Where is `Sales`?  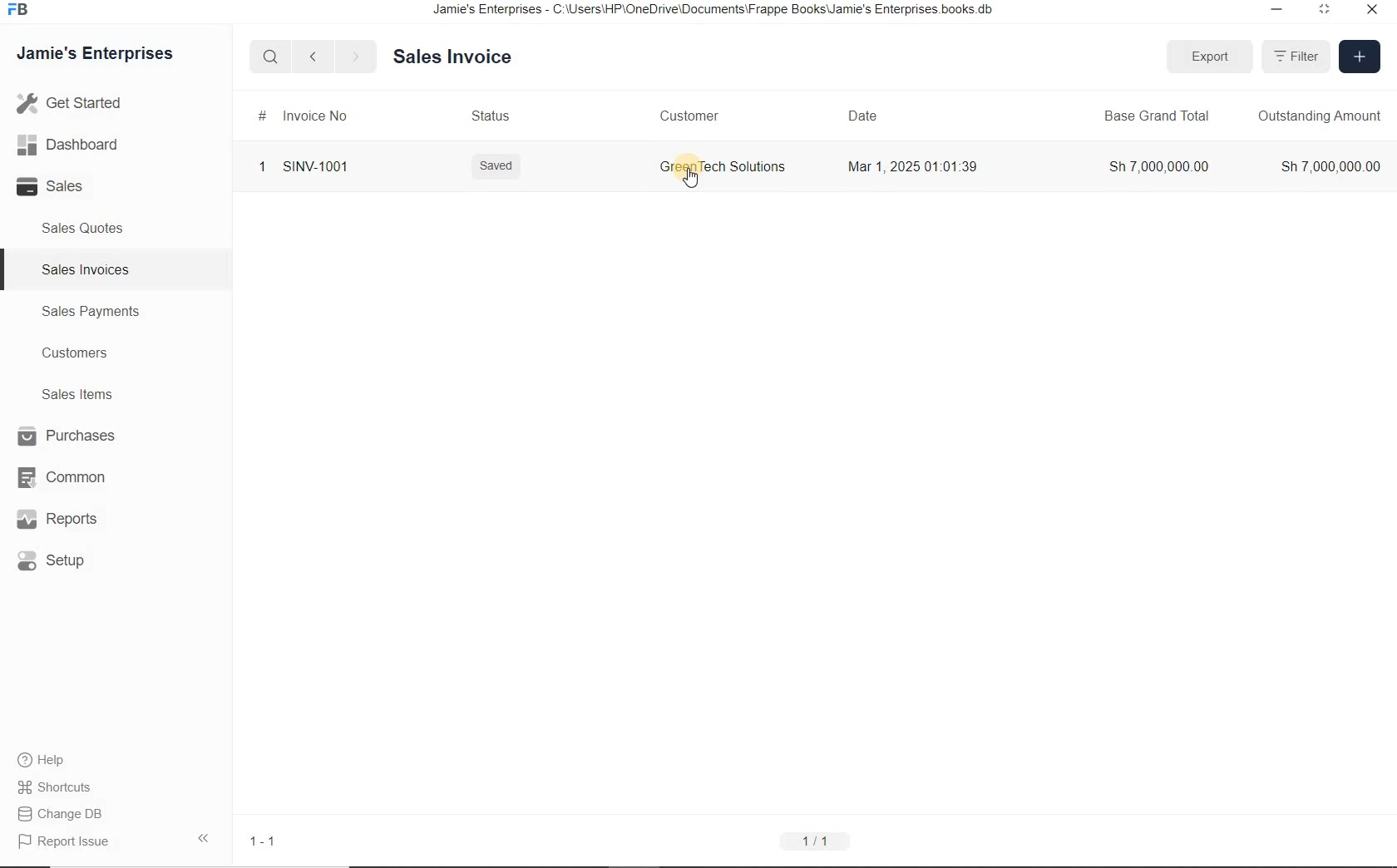 Sales is located at coordinates (57, 187).